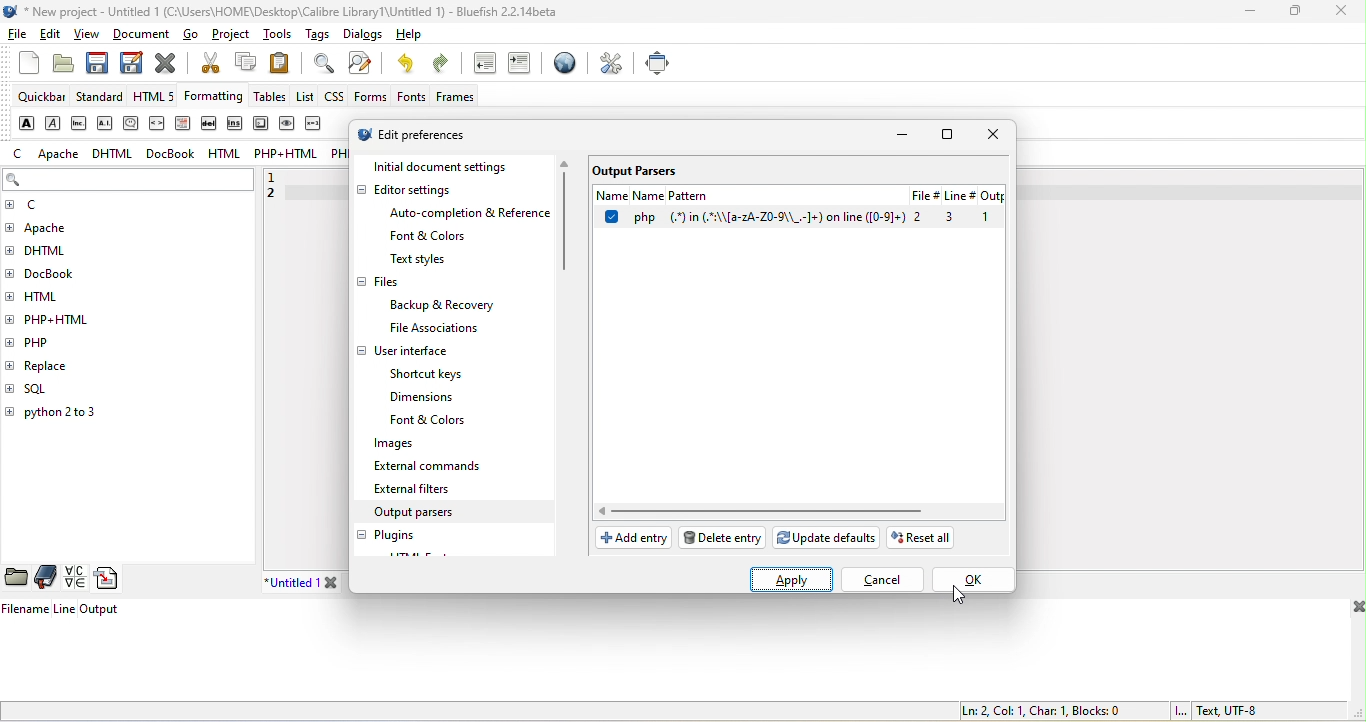 This screenshot has width=1366, height=722. I want to click on maximize, so click(948, 137).